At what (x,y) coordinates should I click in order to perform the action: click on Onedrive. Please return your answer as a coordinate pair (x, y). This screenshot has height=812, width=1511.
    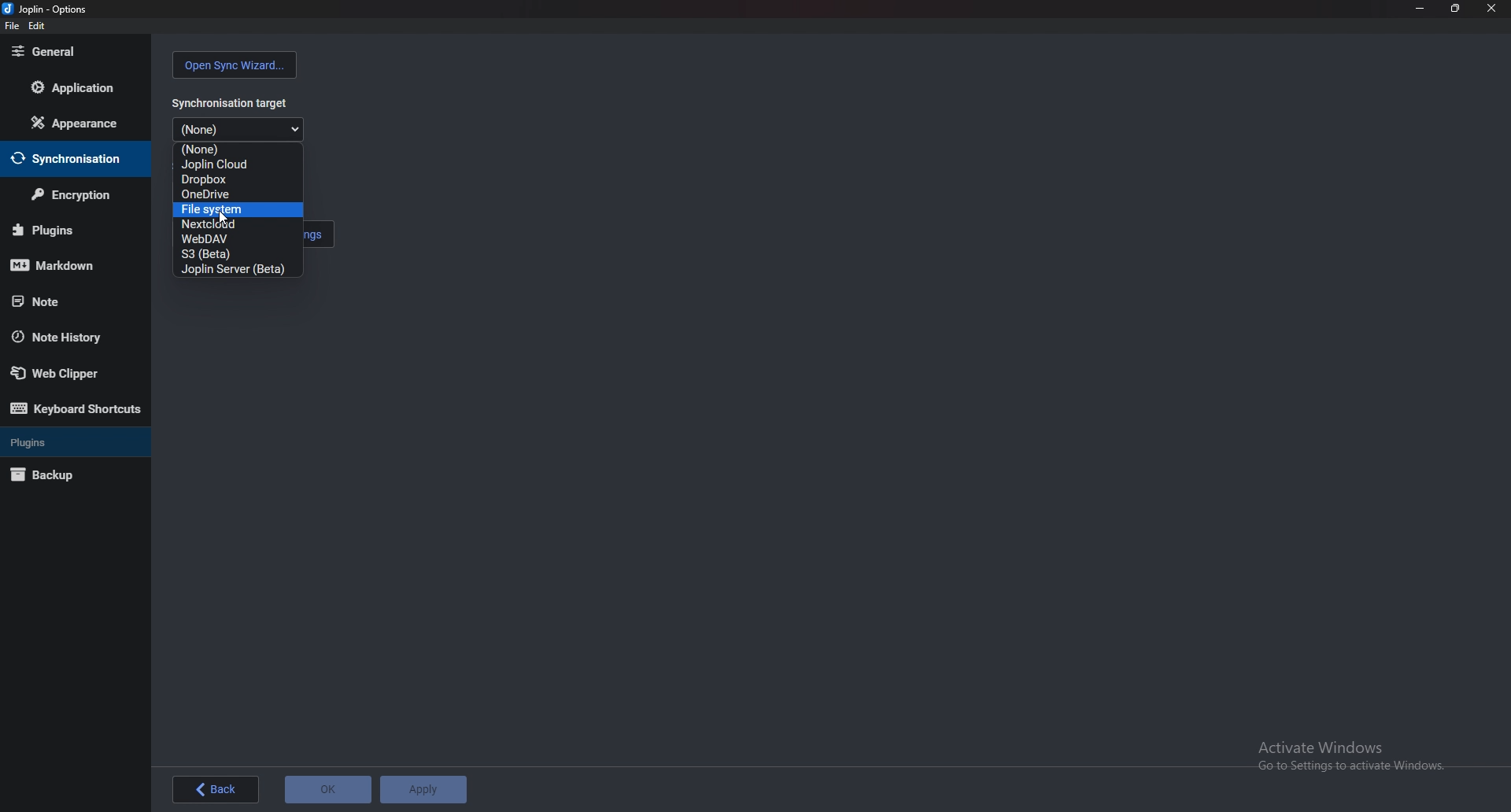
    Looking at the image, I should click on (238, 194).